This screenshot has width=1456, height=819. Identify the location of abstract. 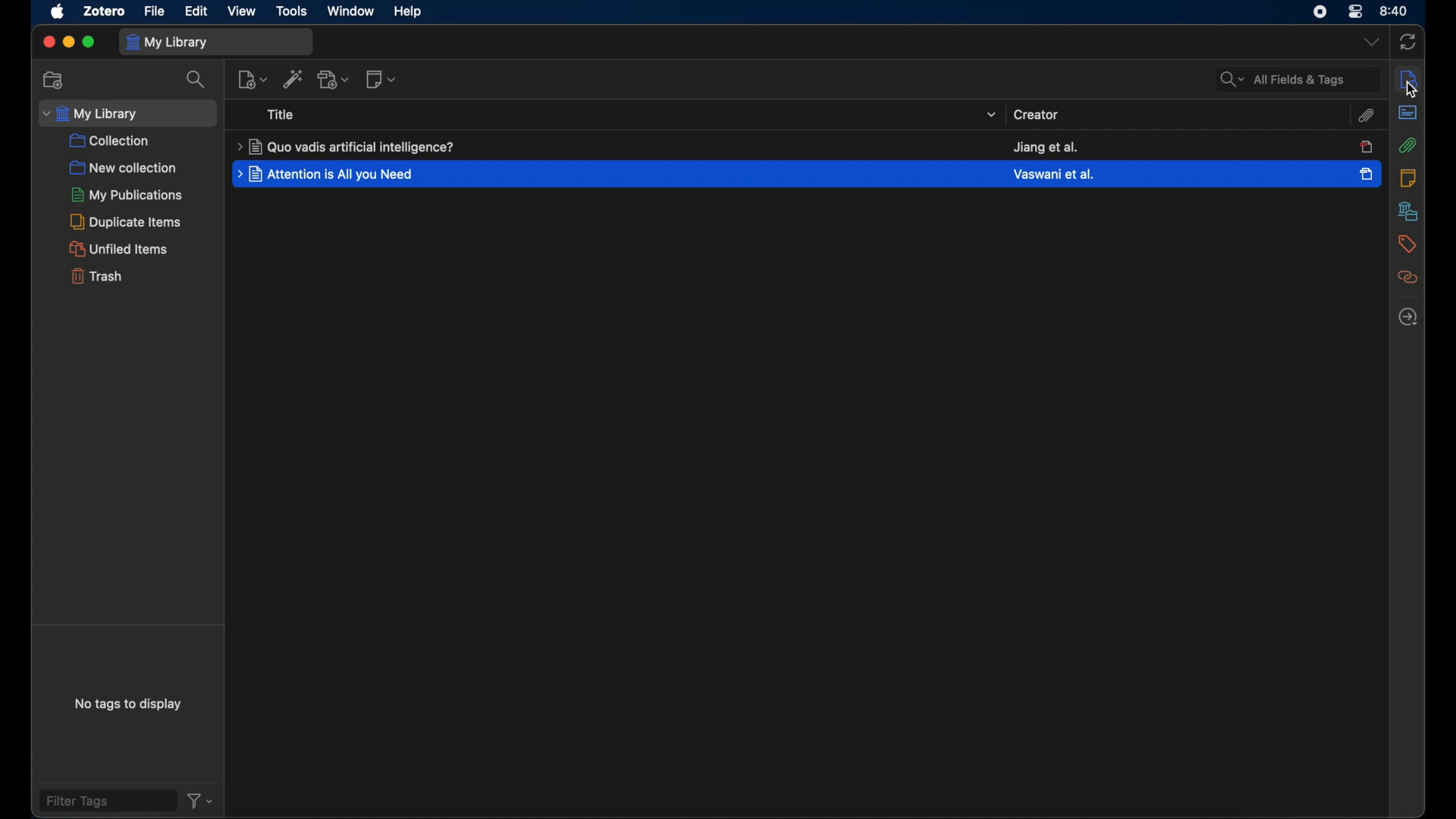
(1408, 112).